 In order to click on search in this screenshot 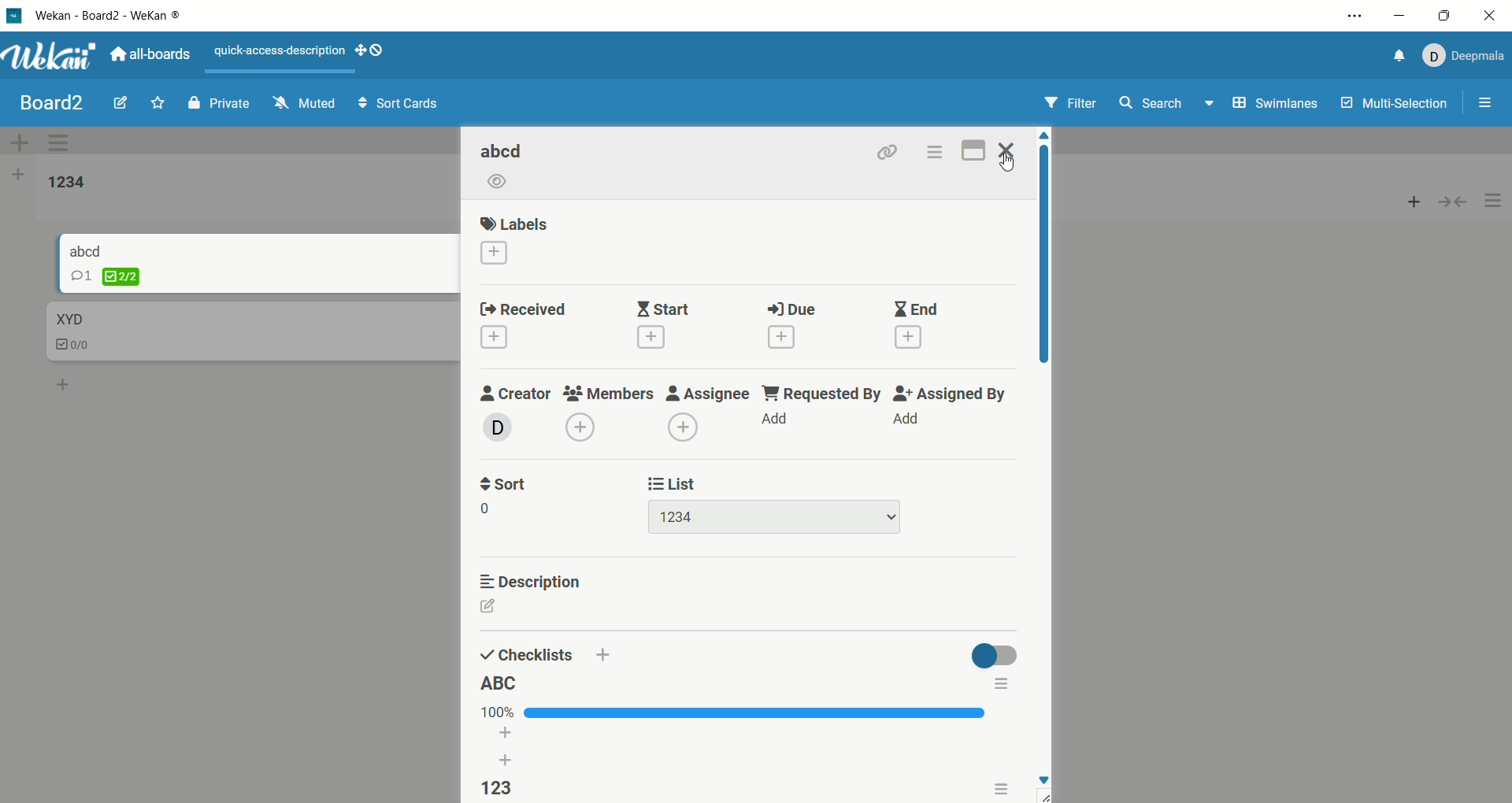, I will do `click(1165, 107)`.